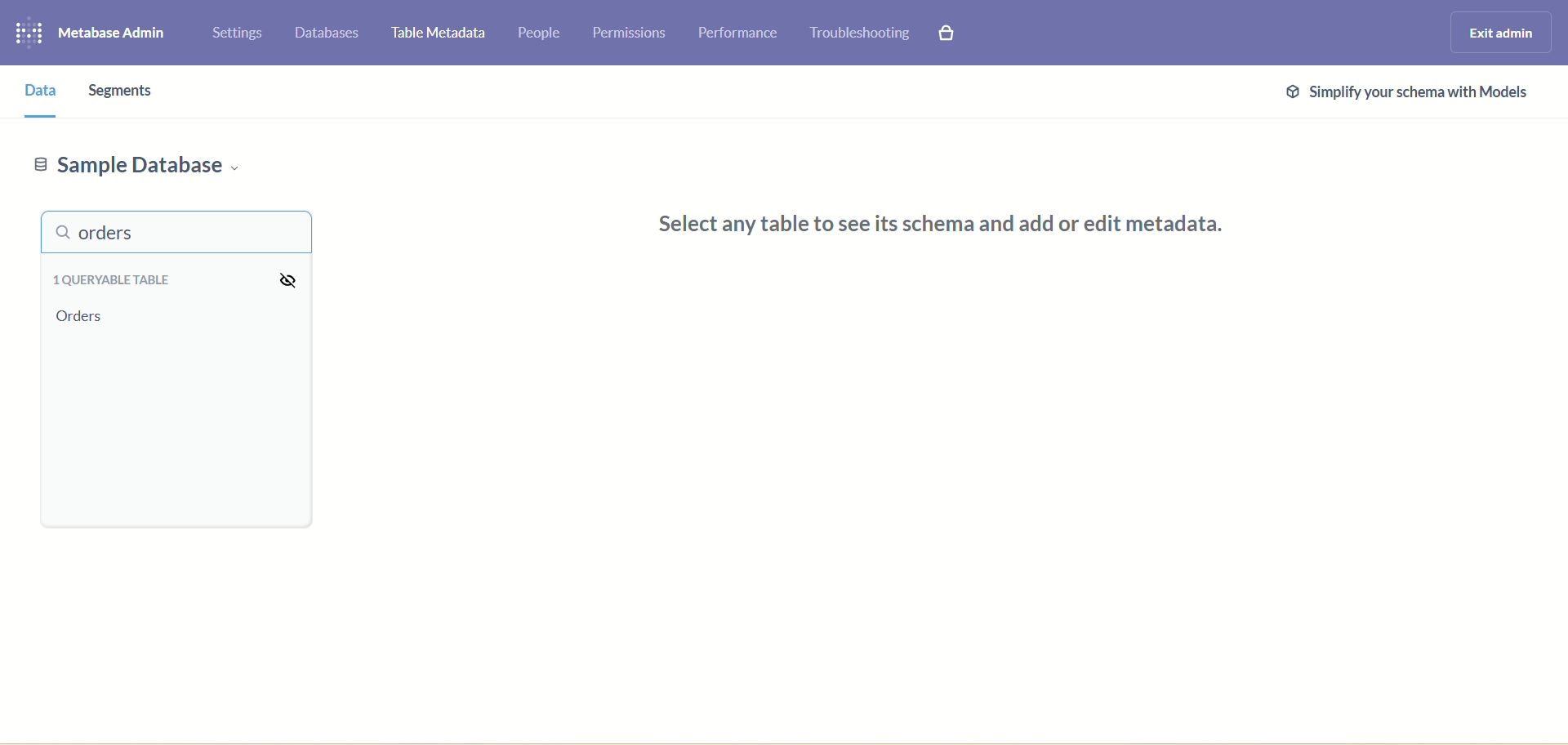 This screenshot has height=745, width=1568. What do you see at coordinates (858, 33) in the screenshot?
I see `trouble shooting` at bounding box center [858, 33].